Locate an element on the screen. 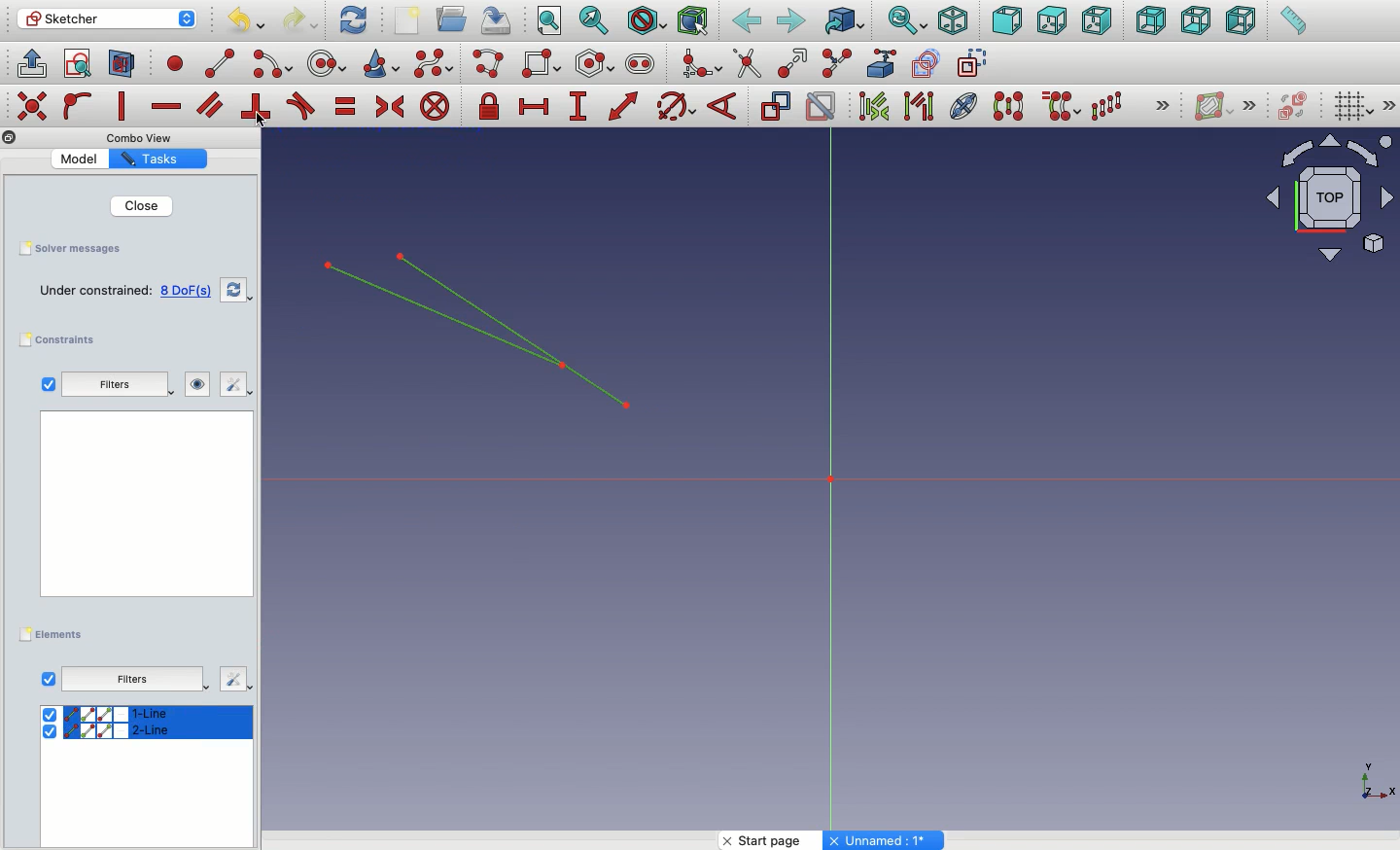  Constrain parallel is located at coordinates (210, 105).